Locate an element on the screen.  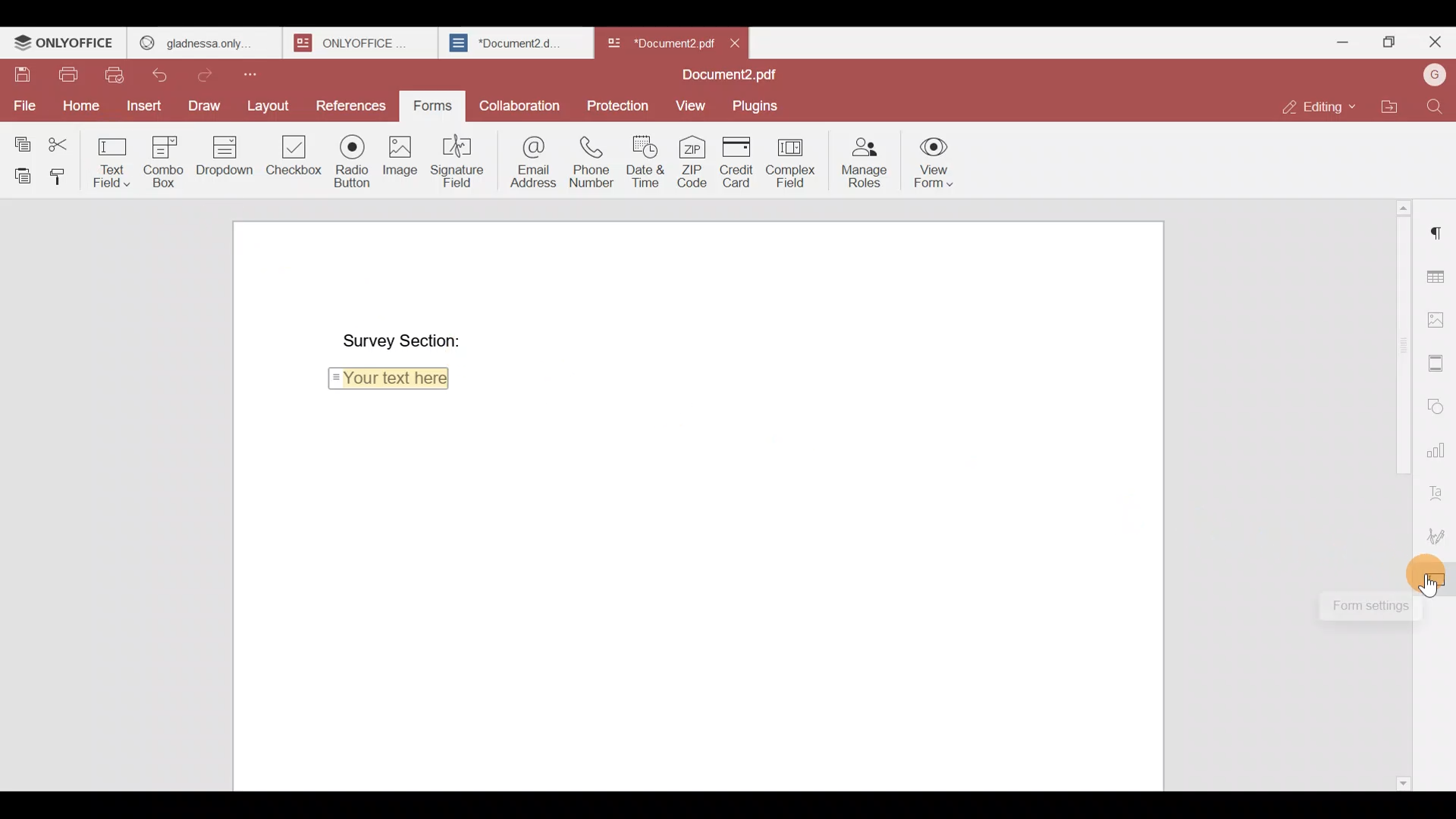
GLADNESS ONLY is located at coordinates (199, 39).